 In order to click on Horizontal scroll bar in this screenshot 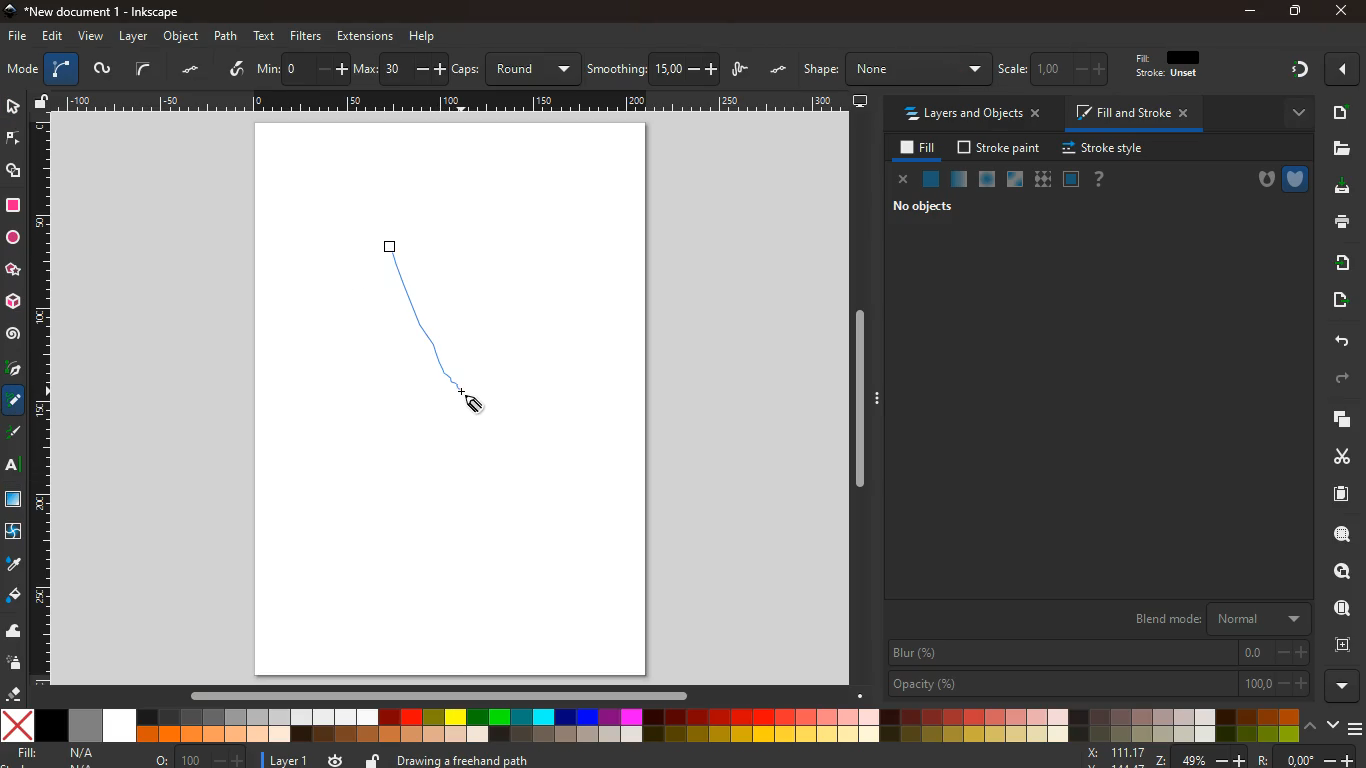, I will do `click(429, 695)`.